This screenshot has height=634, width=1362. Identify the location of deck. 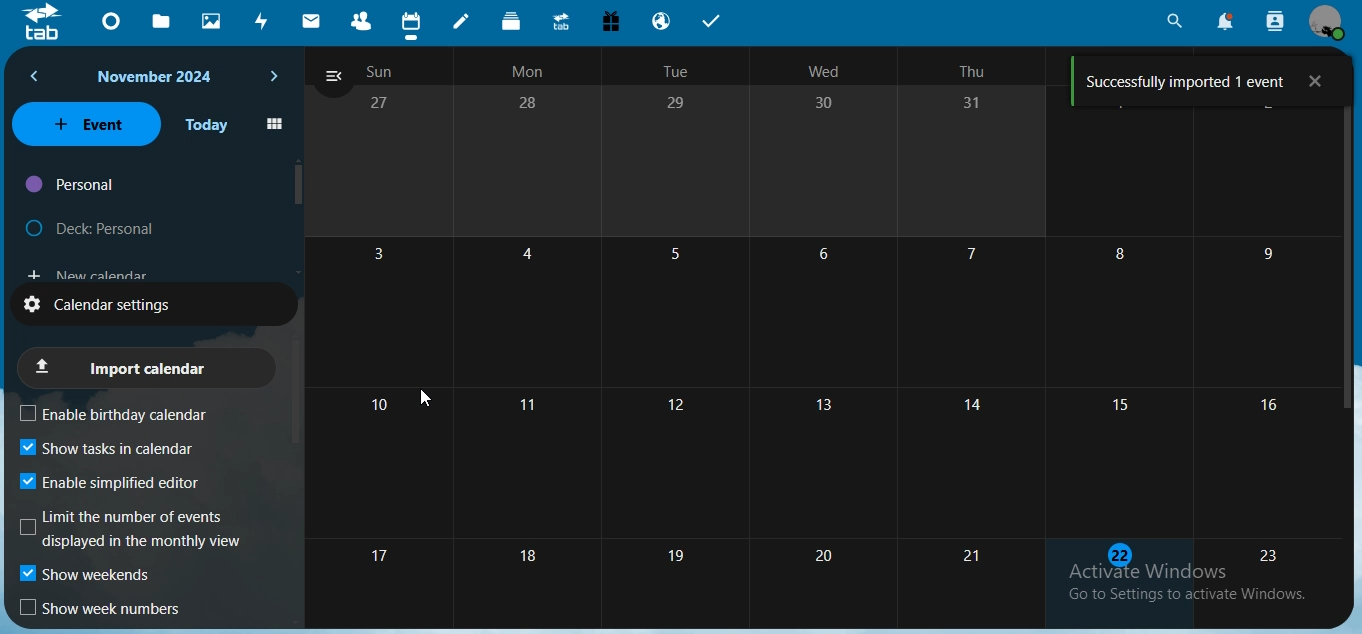
(513, 21).